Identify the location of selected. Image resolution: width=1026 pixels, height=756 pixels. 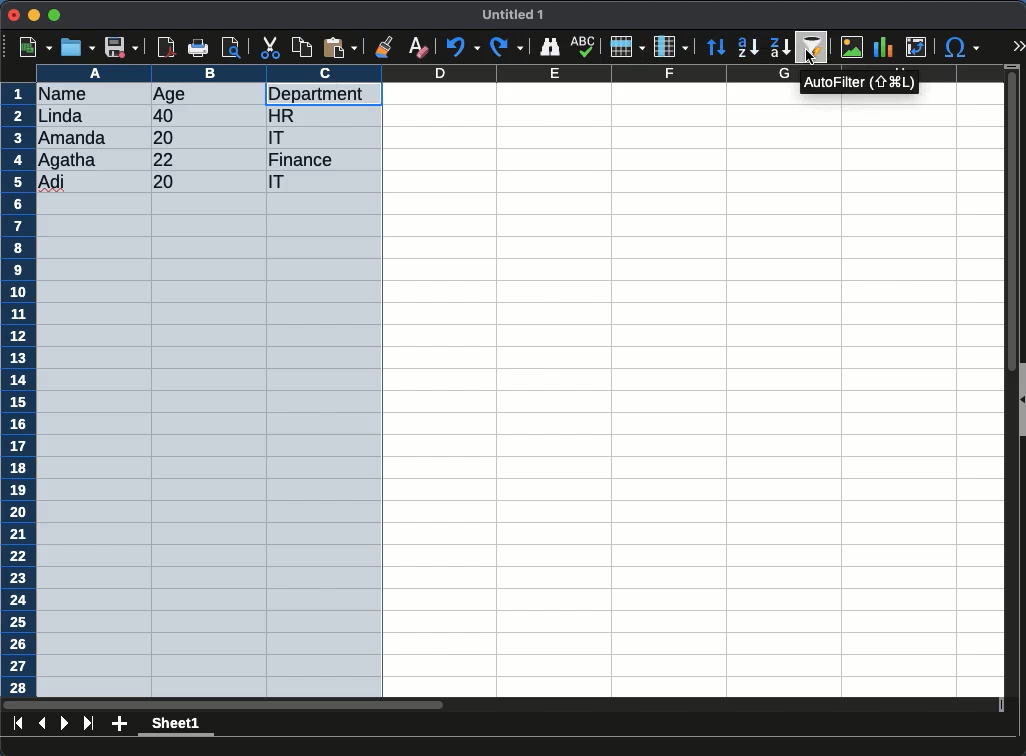
(210, 390).